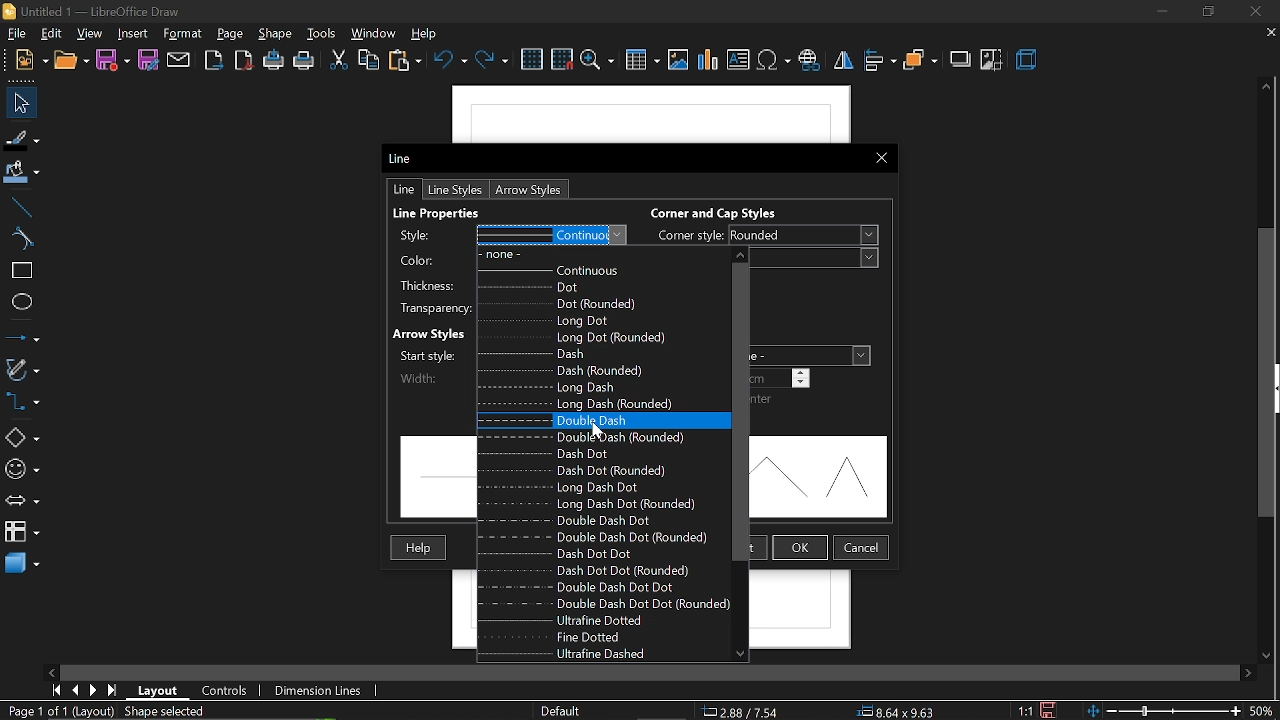 The image size is (1280, 720). I want to click on Long dash dot, so click(603, 488).